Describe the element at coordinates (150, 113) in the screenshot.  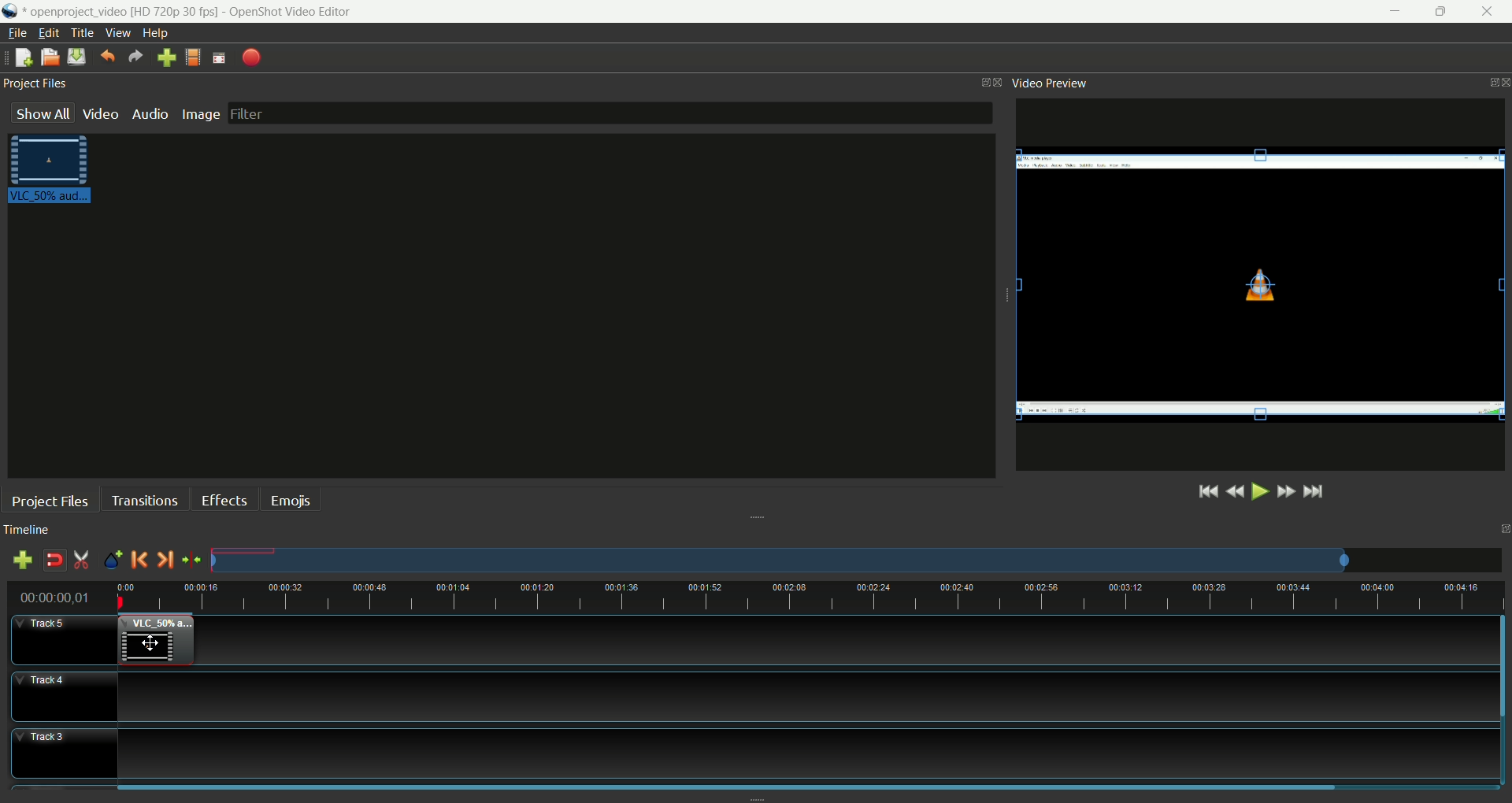
I see `audio` at that location.